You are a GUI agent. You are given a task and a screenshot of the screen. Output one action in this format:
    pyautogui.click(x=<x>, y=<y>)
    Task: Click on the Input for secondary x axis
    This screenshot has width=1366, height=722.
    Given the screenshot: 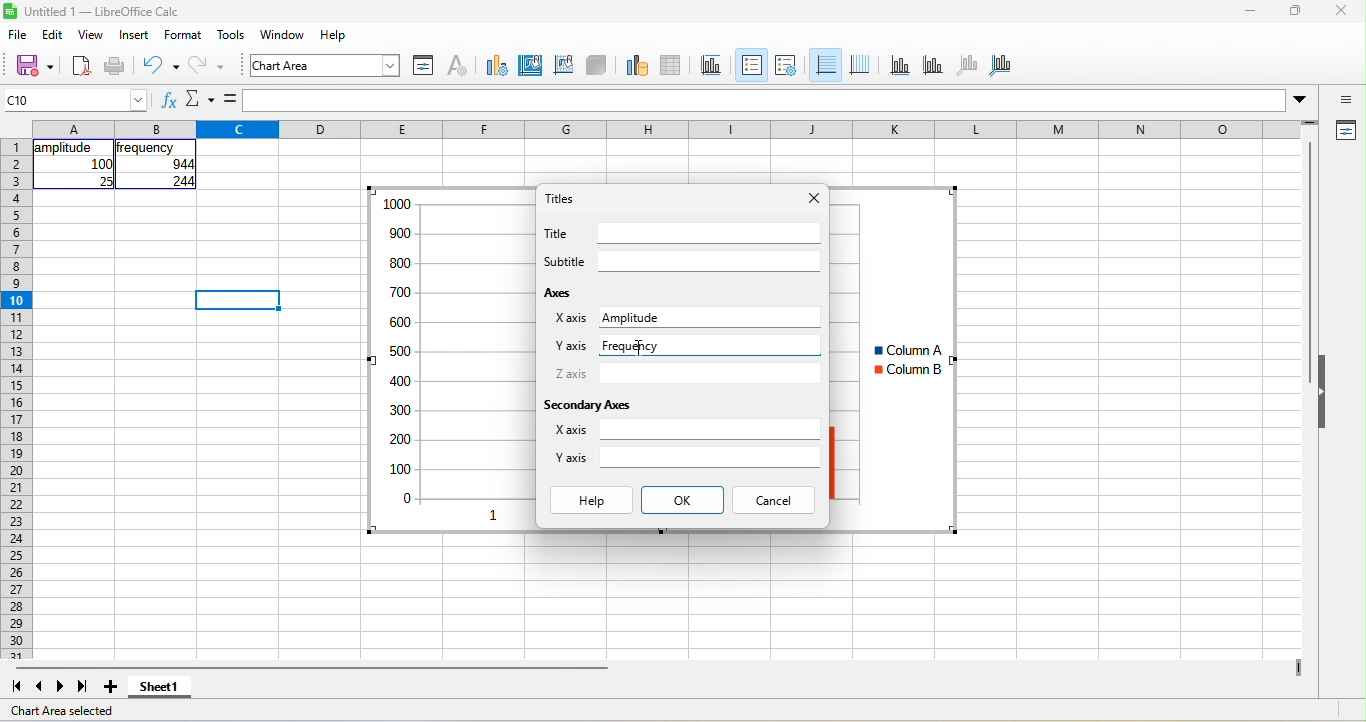 What is the action you would take?
    pyautogui.click(x=710, y=429)
    